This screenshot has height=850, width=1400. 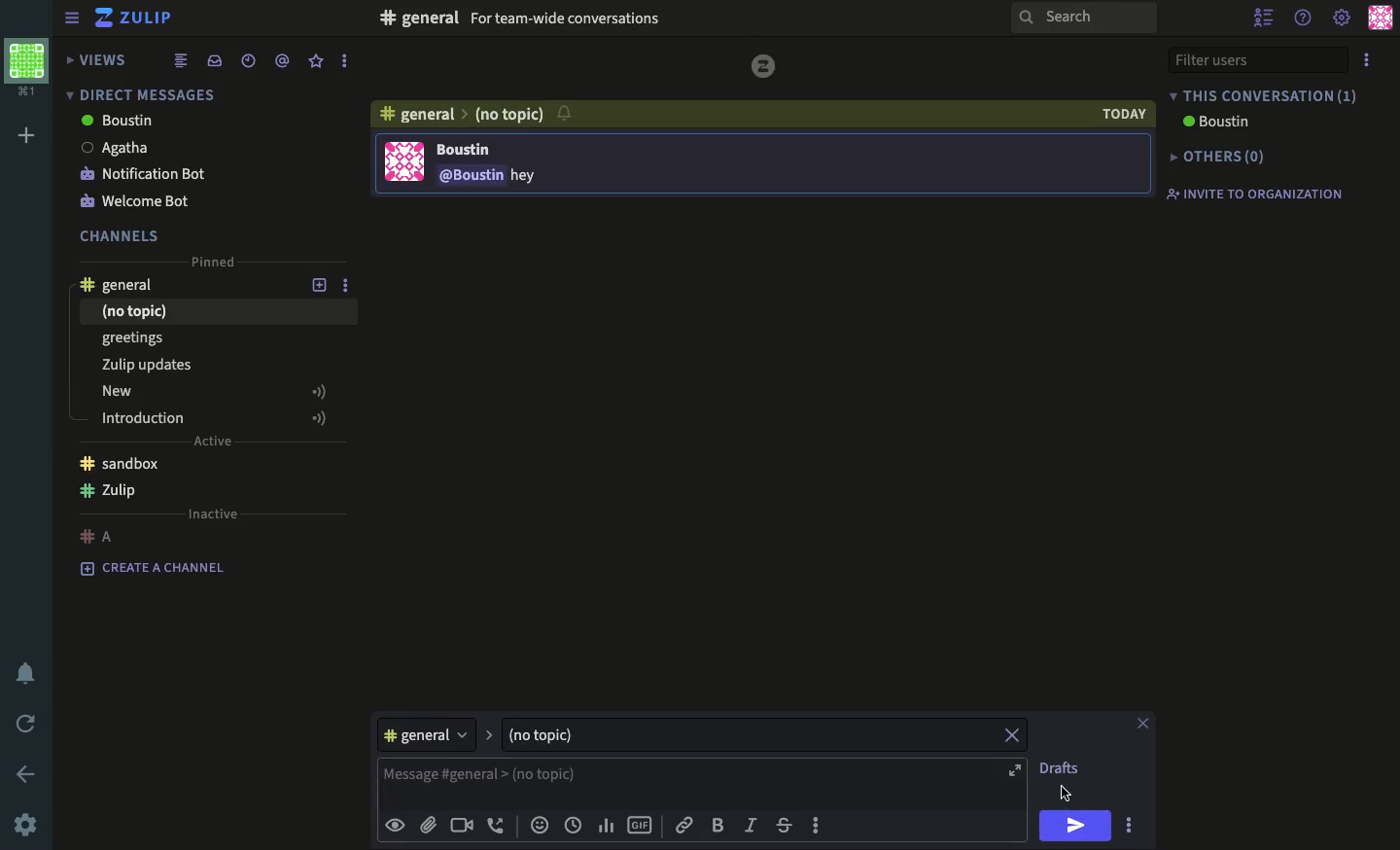 I want to click on direct message, so click(x=138, y=93).